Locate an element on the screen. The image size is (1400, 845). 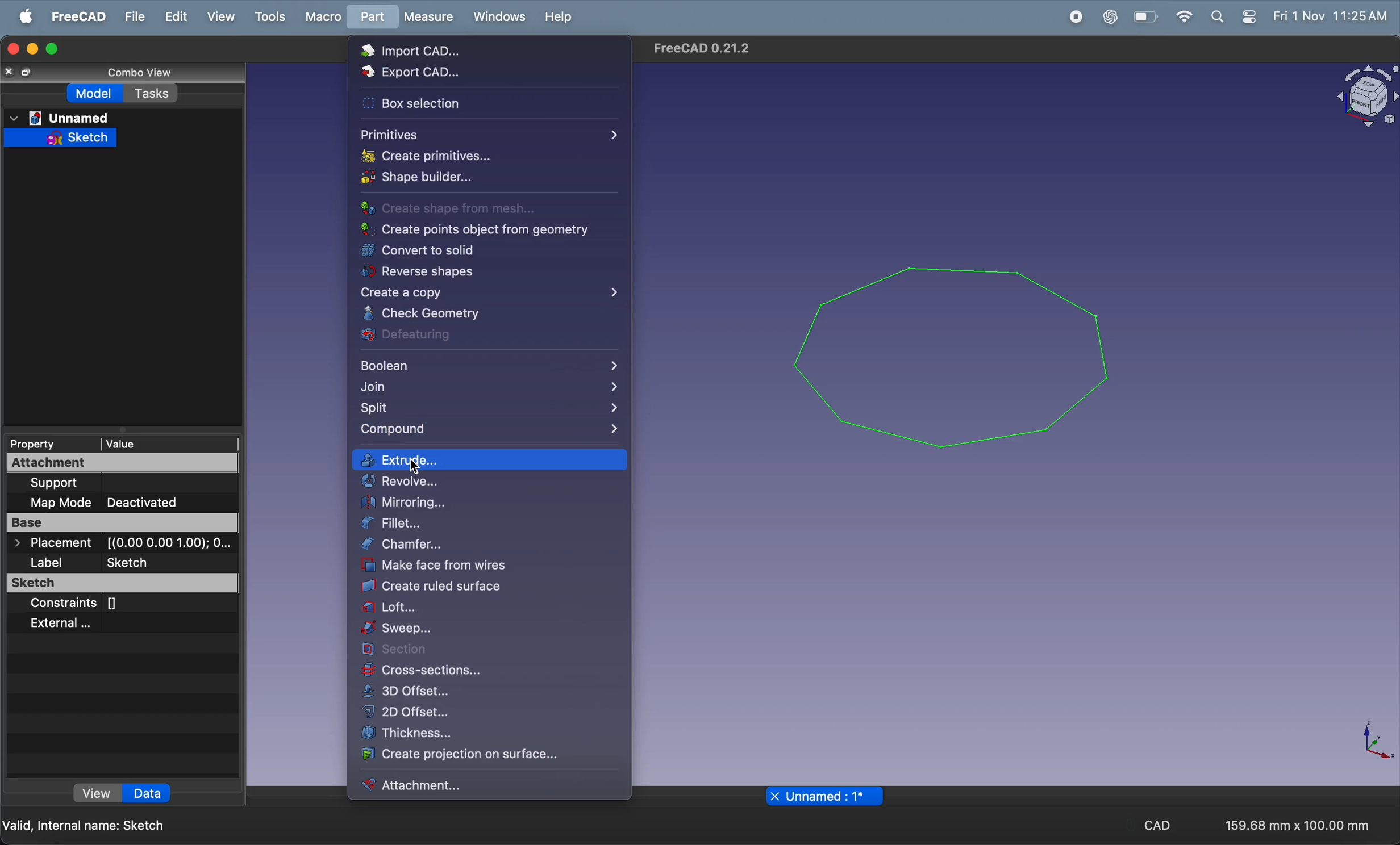
minimize is located at coordinates (33, 49).